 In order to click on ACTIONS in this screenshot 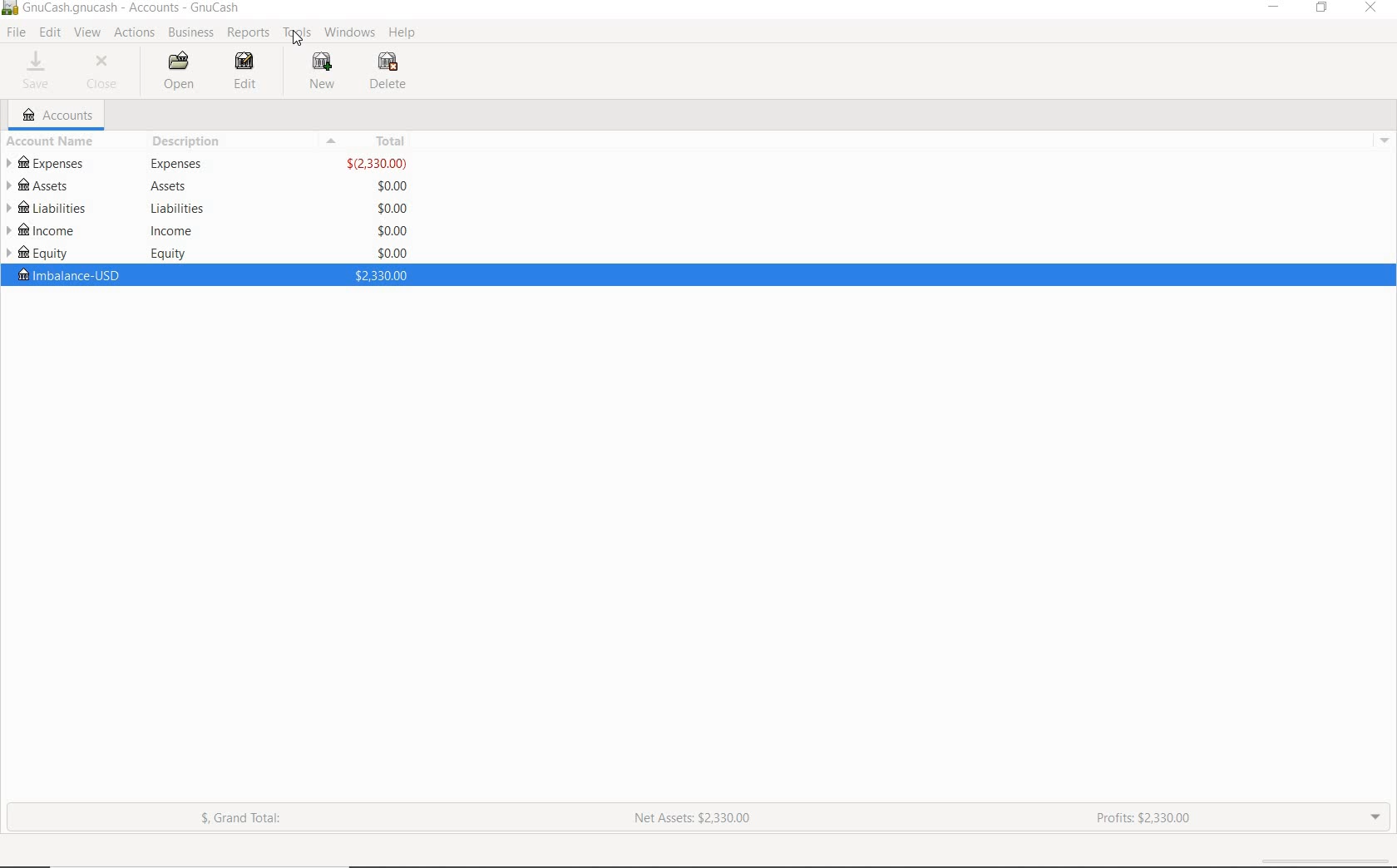, I will do `click(135, 33)`.